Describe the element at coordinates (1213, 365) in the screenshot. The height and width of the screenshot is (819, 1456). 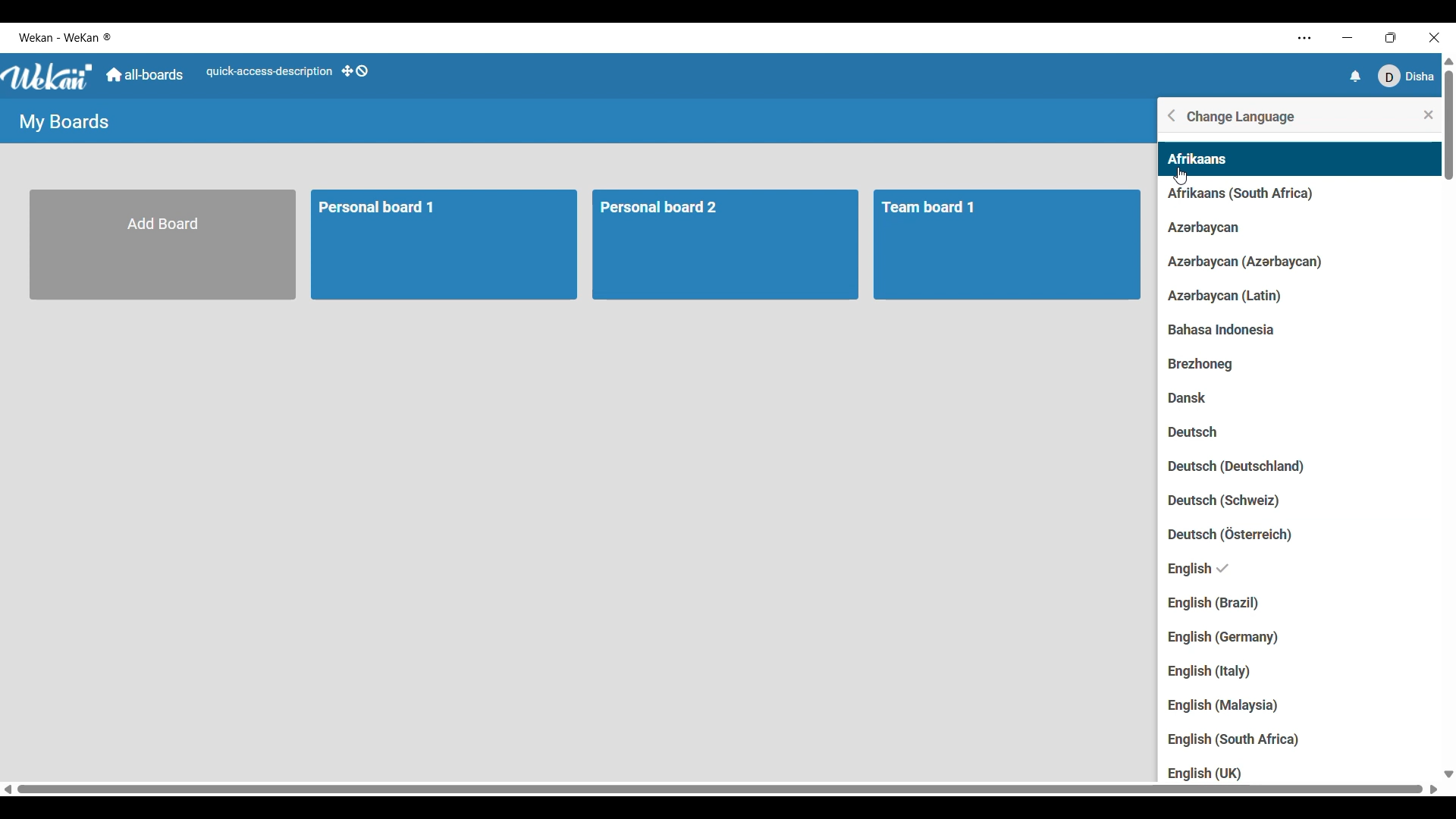
I see `brezhoneg` at that location.